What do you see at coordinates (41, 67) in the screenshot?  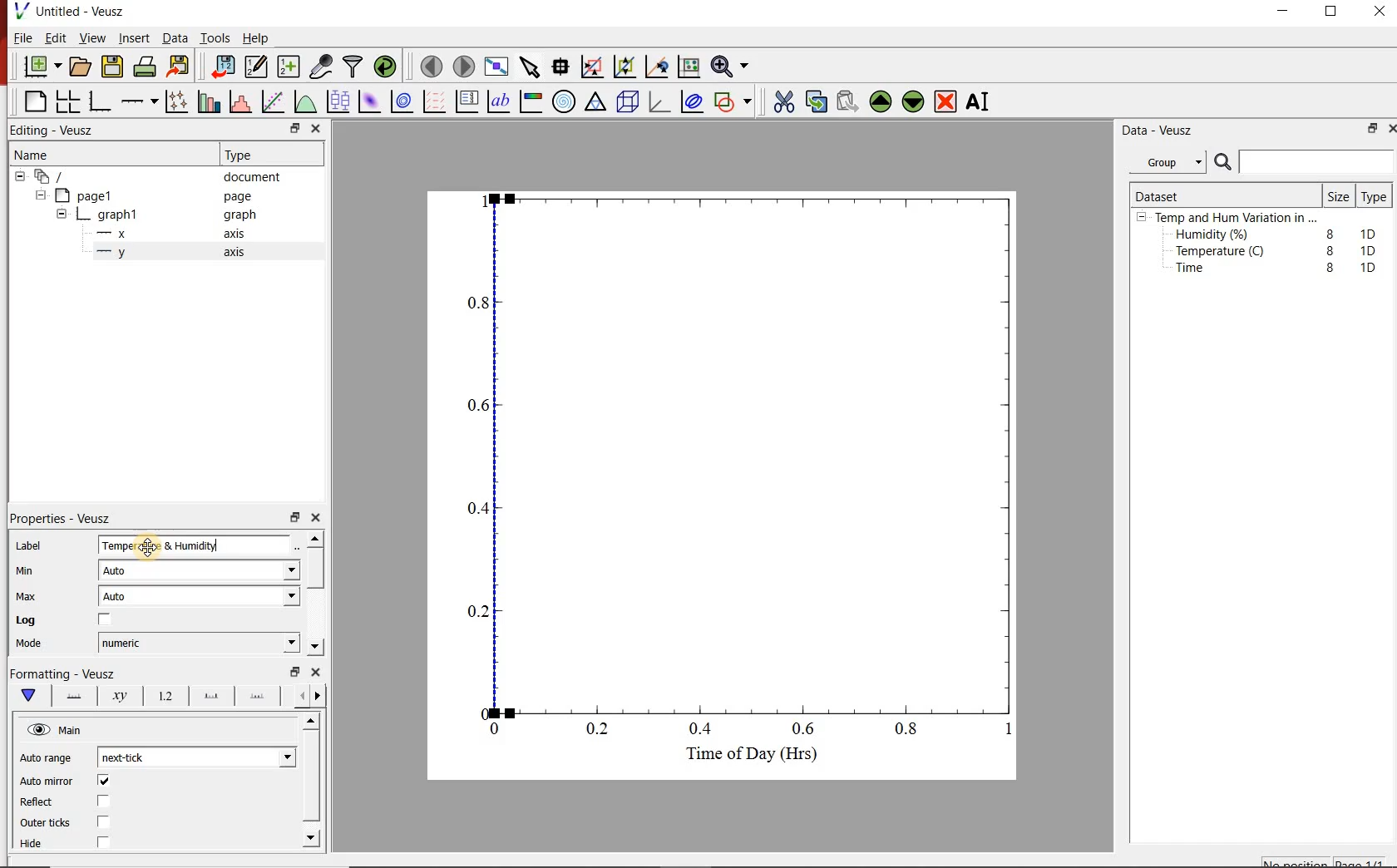 I see `new document` at bounding box center [41, 67].